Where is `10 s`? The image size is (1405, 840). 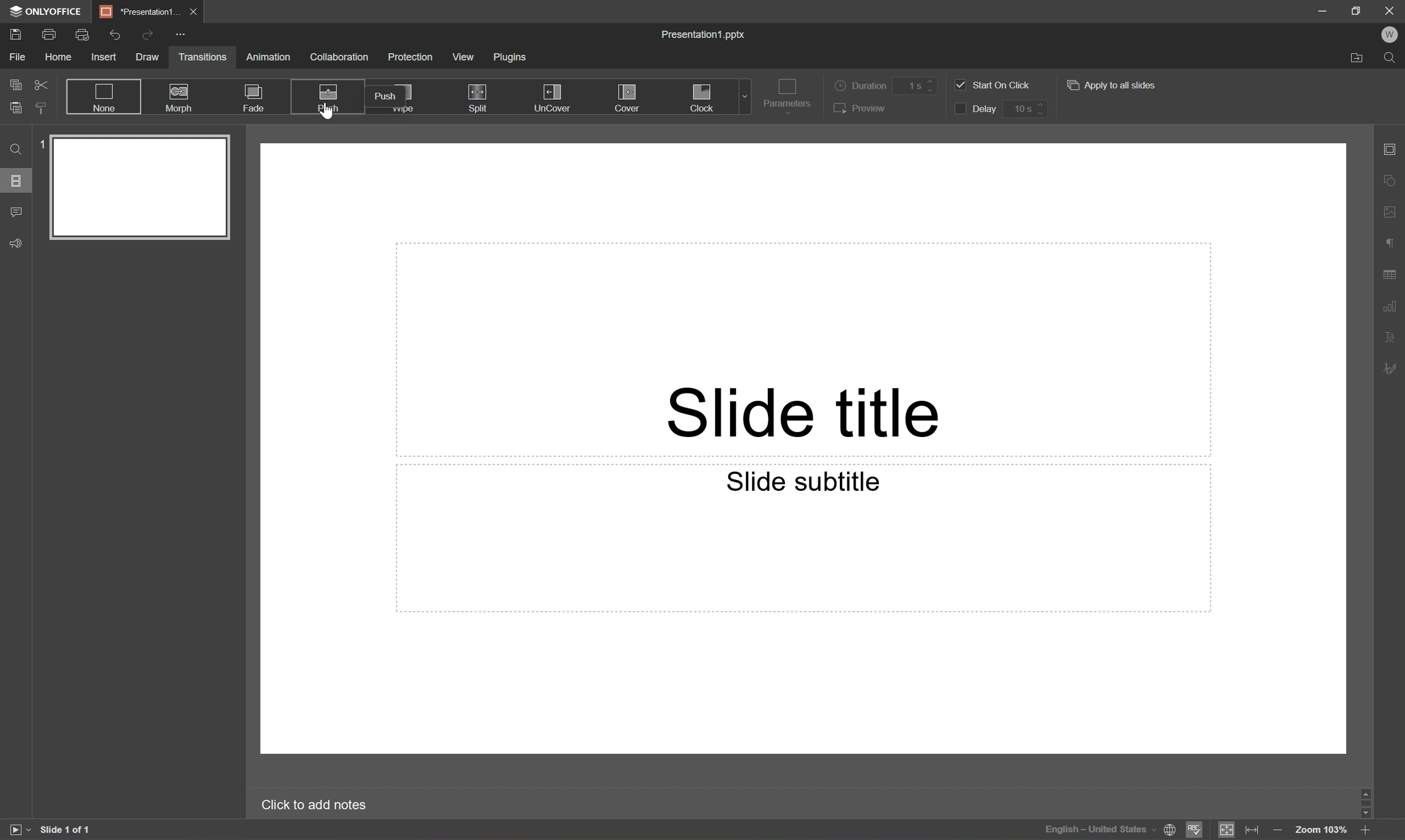 10 s is located at coordinates (1024, 109).